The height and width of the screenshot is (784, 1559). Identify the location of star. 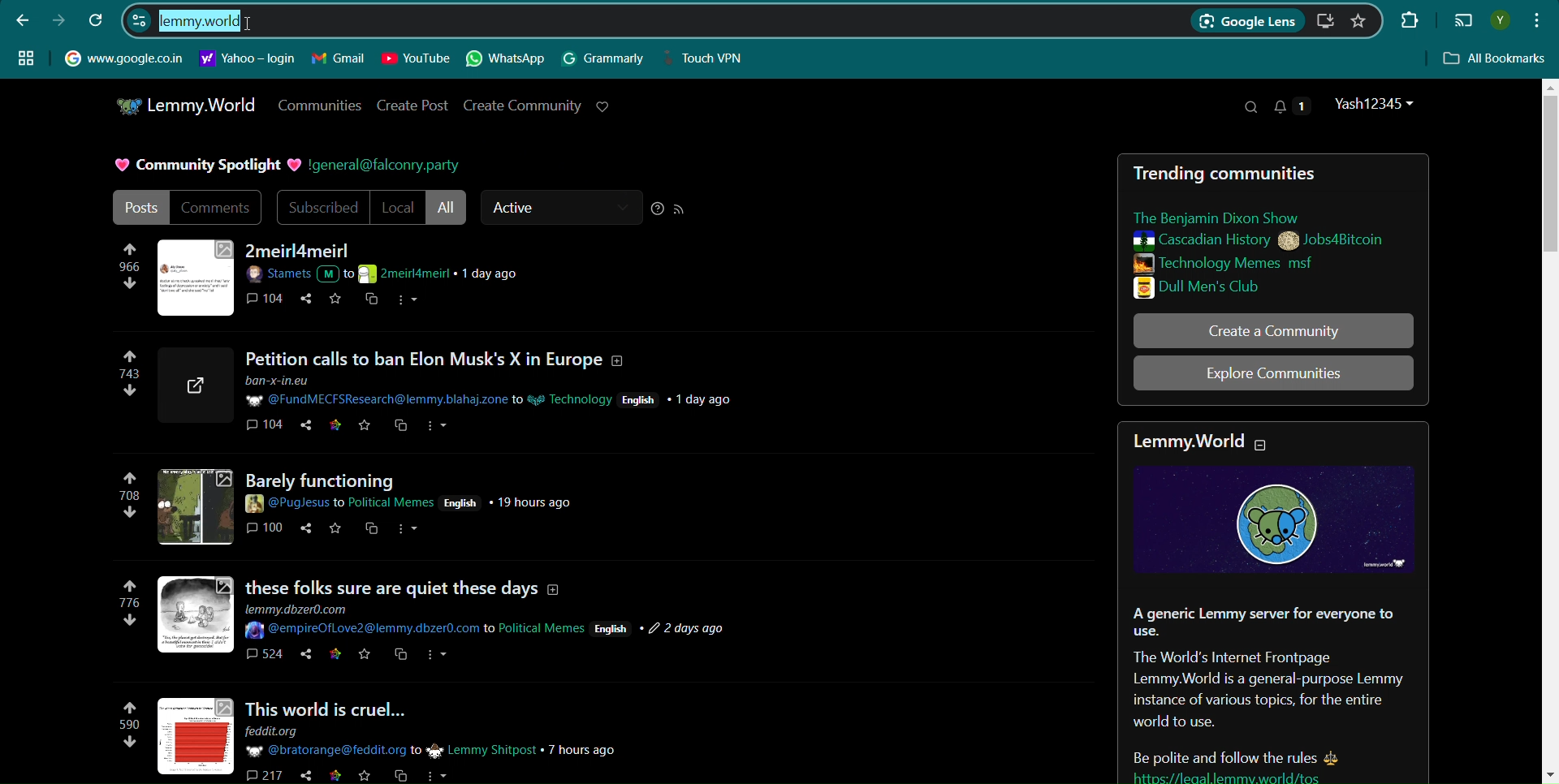
(335, 530).